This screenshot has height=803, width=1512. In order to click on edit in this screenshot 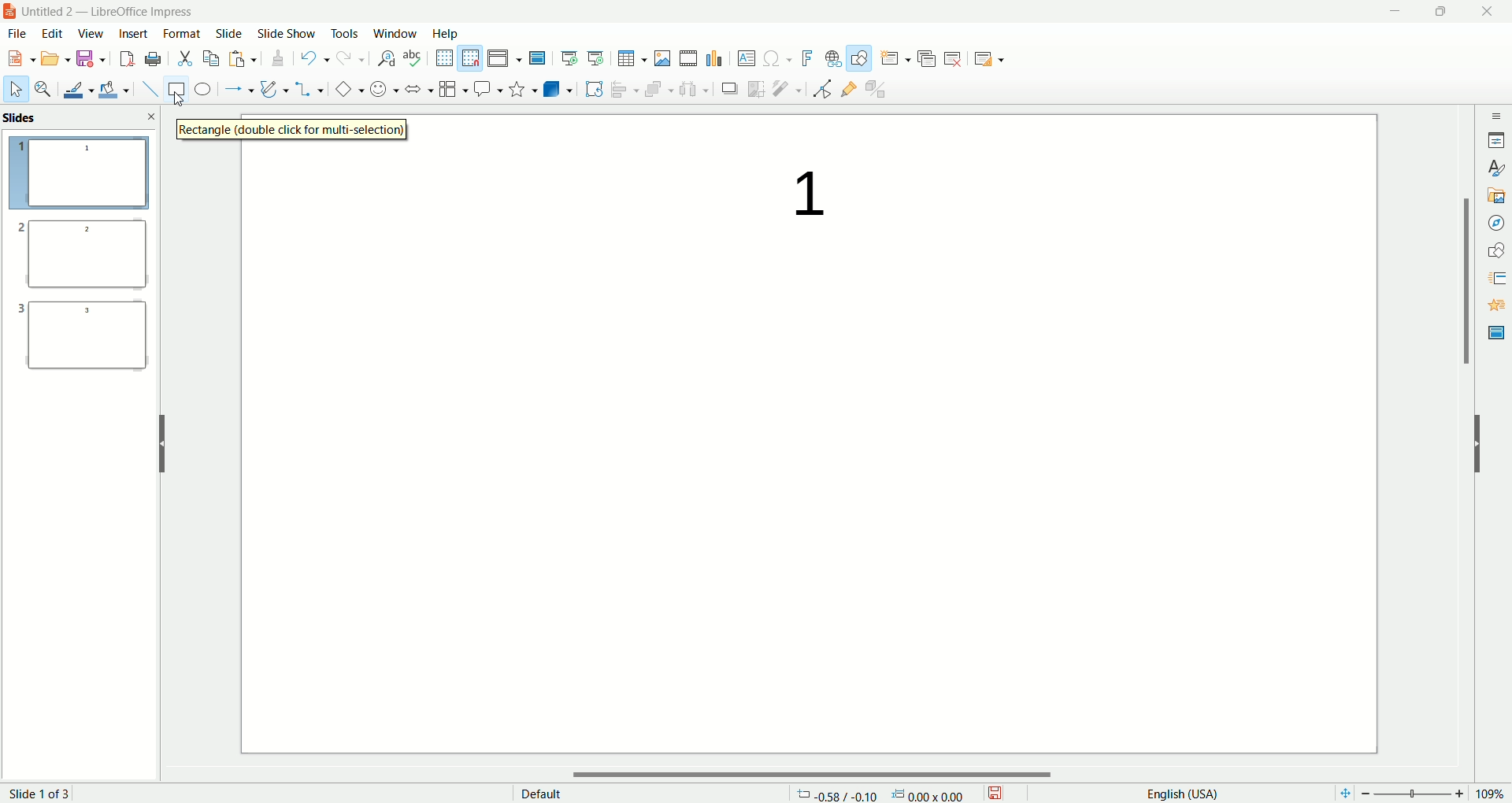, I will do `click(54, 34)`.